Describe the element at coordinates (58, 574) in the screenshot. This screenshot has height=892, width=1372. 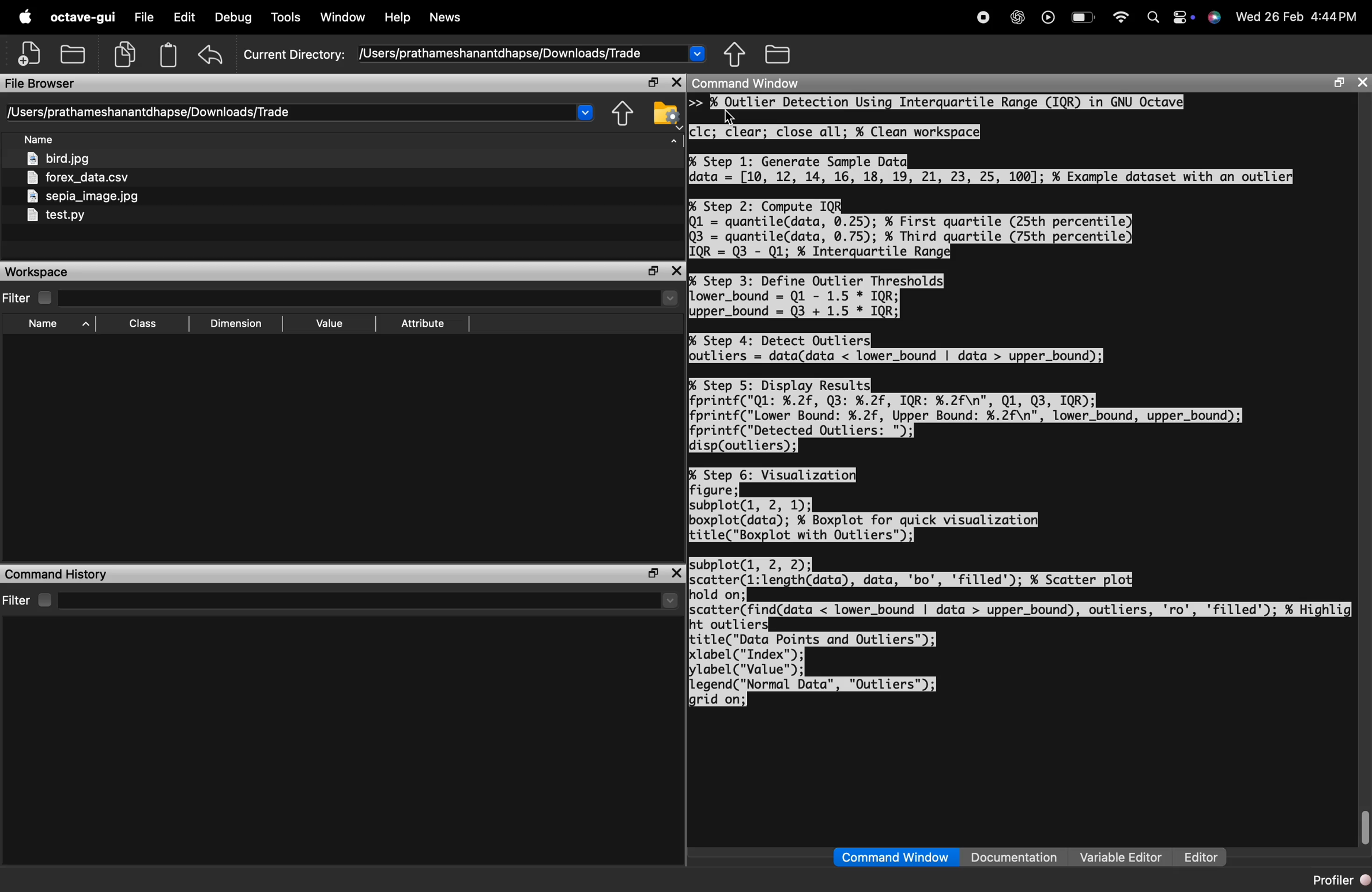
I see `Command History` at that location.